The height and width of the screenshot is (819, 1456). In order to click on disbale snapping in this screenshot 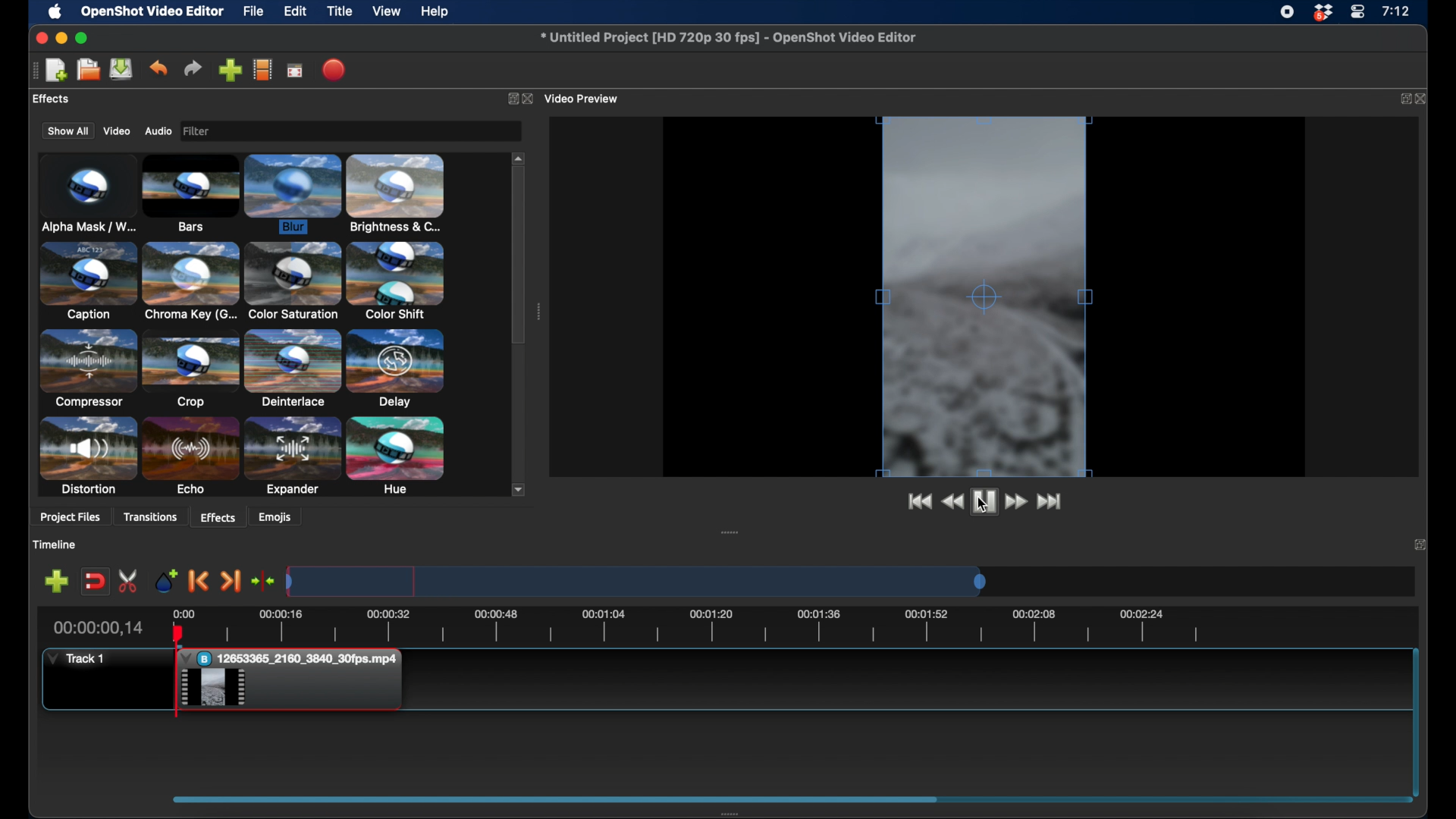, I will do `click(96, 580)`.